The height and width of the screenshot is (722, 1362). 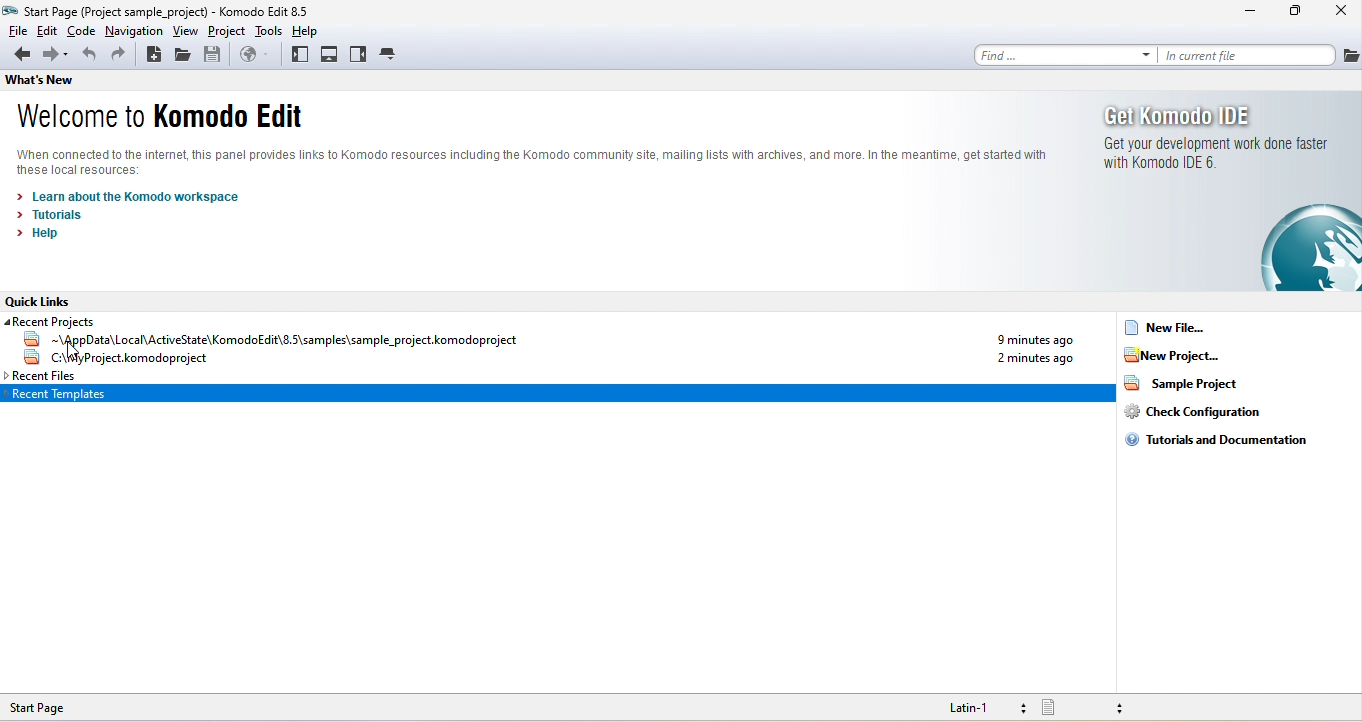 I want to click on left pane, so click(x=299, y=54).